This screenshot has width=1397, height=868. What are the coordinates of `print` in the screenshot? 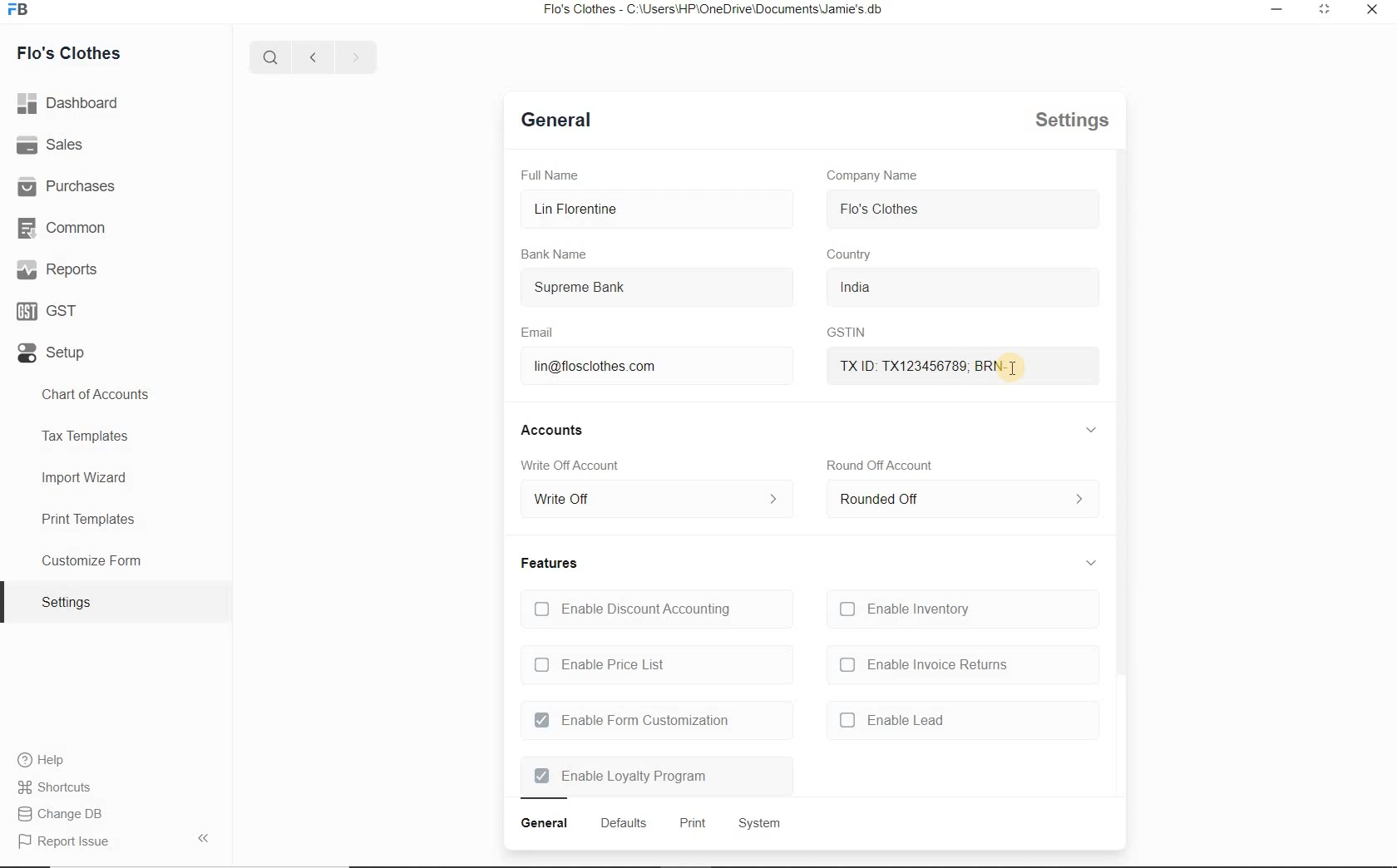 It's located at (691, 825).